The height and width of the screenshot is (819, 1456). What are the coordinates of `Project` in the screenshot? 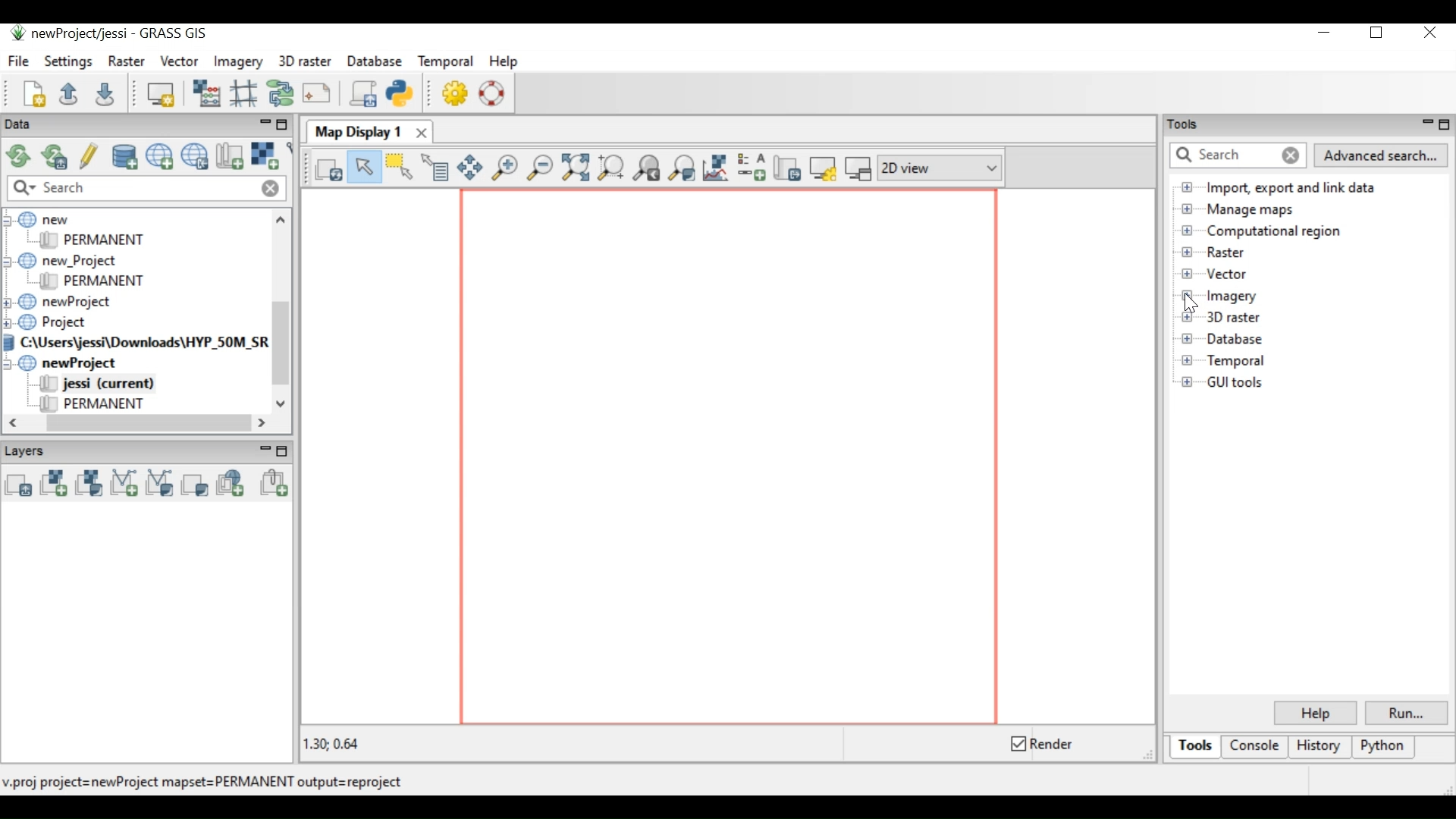 It's located at (59, 319).